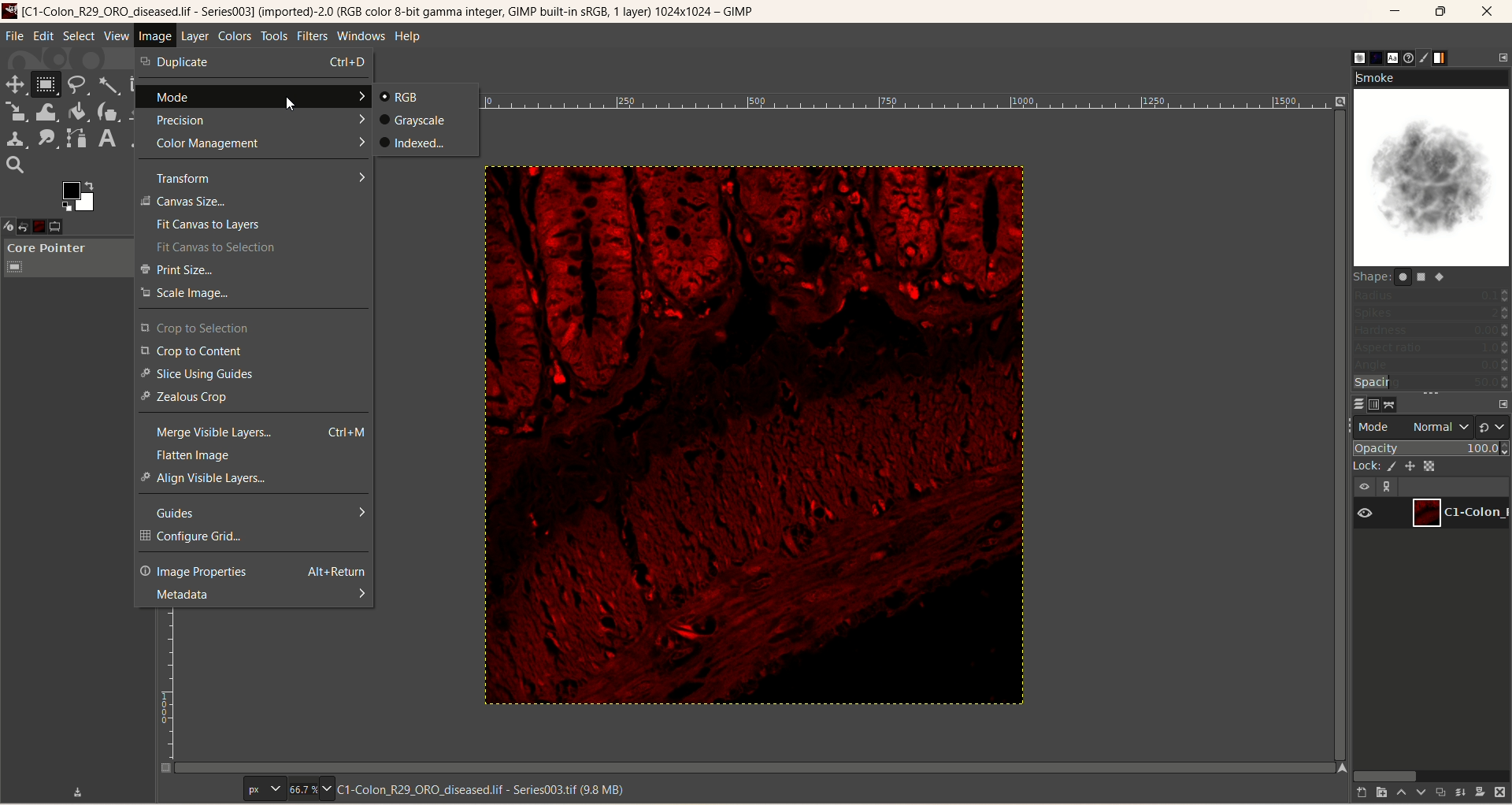 This screenshot has width=1512, height=805. Describe the element at coordinates (15, 166) in the screenshot. I see `search tool` at that location.